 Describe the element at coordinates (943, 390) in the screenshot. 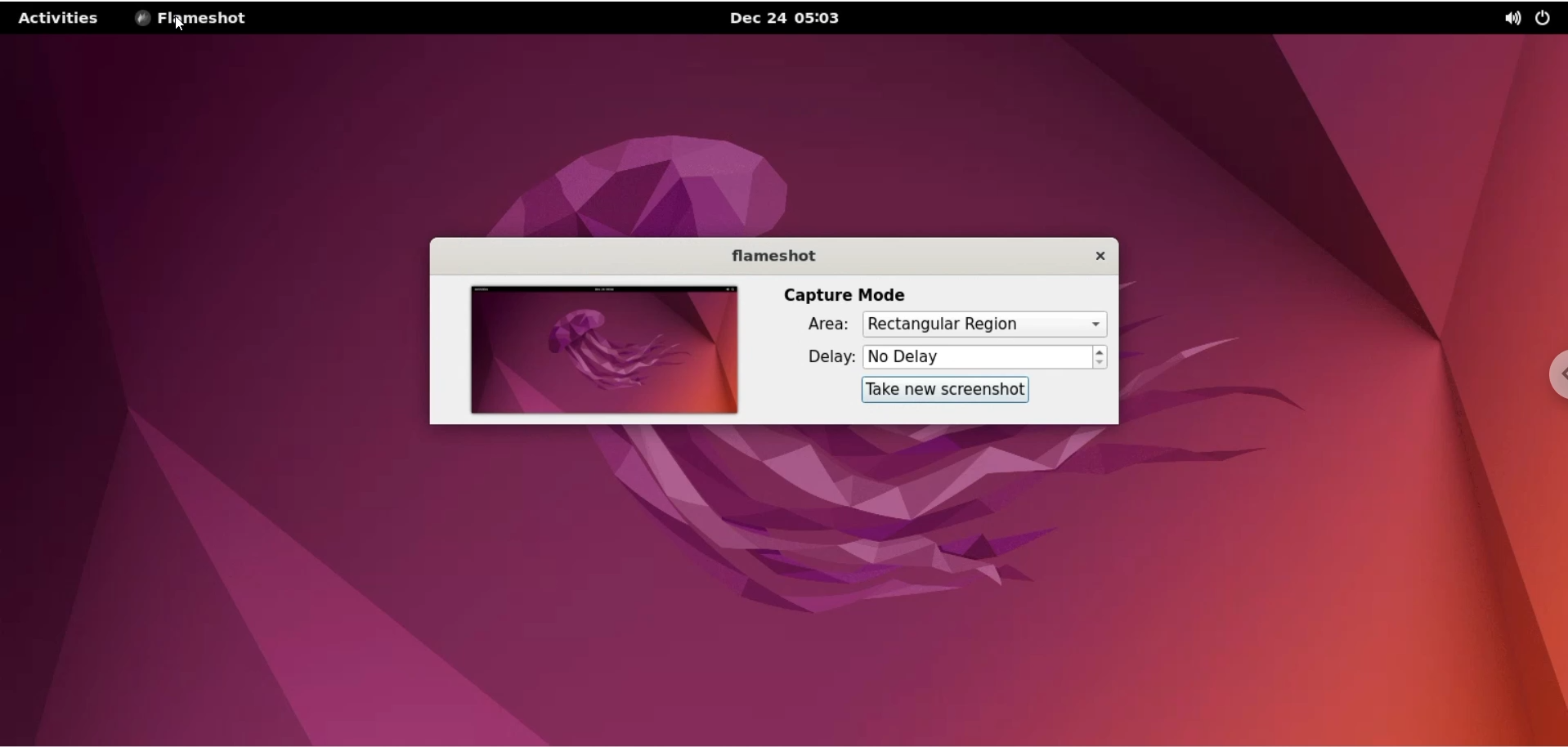

I see `take new screenshot` at that location.